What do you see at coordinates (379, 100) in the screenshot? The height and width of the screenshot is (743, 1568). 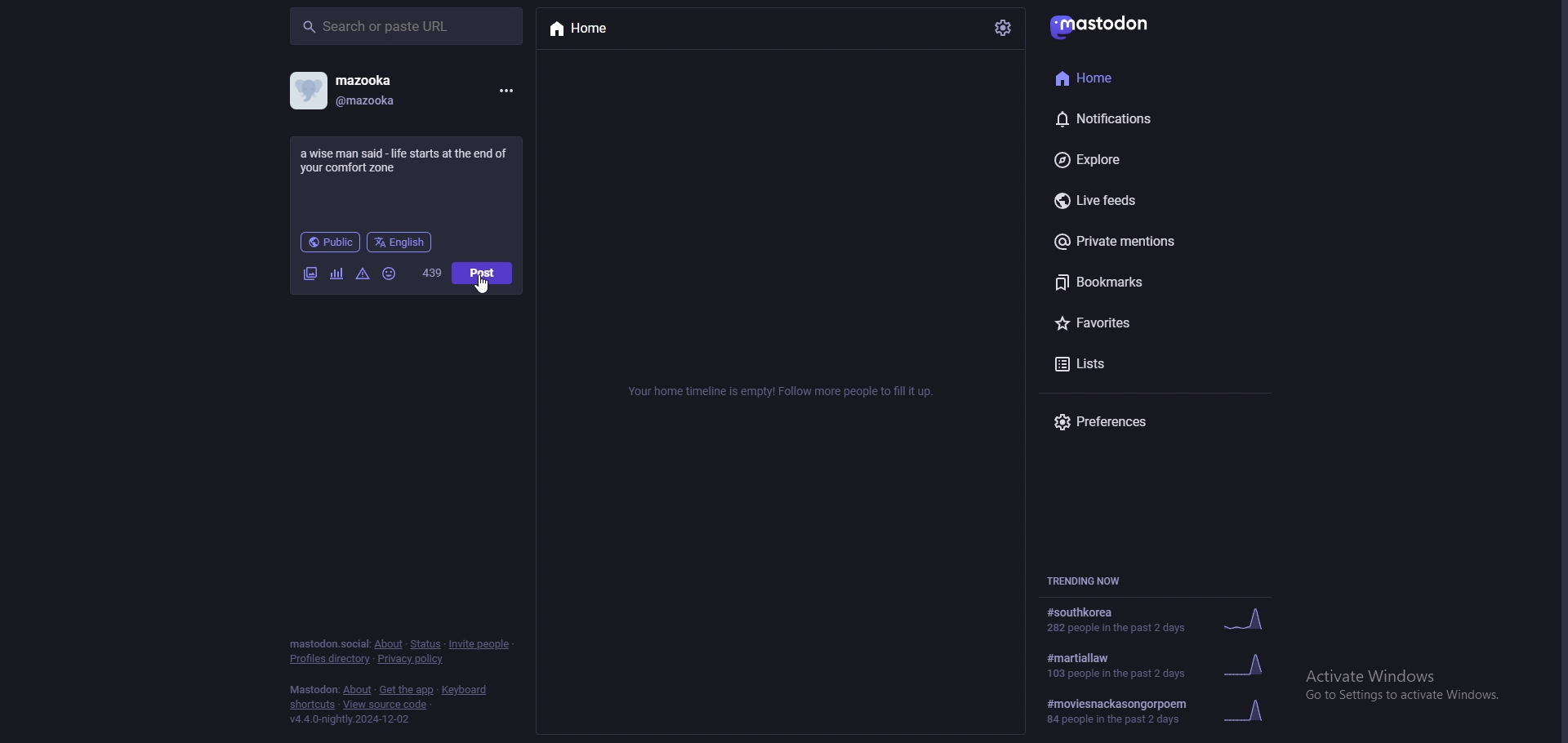 I see `@mazooka` at bounding box center [379, 100].